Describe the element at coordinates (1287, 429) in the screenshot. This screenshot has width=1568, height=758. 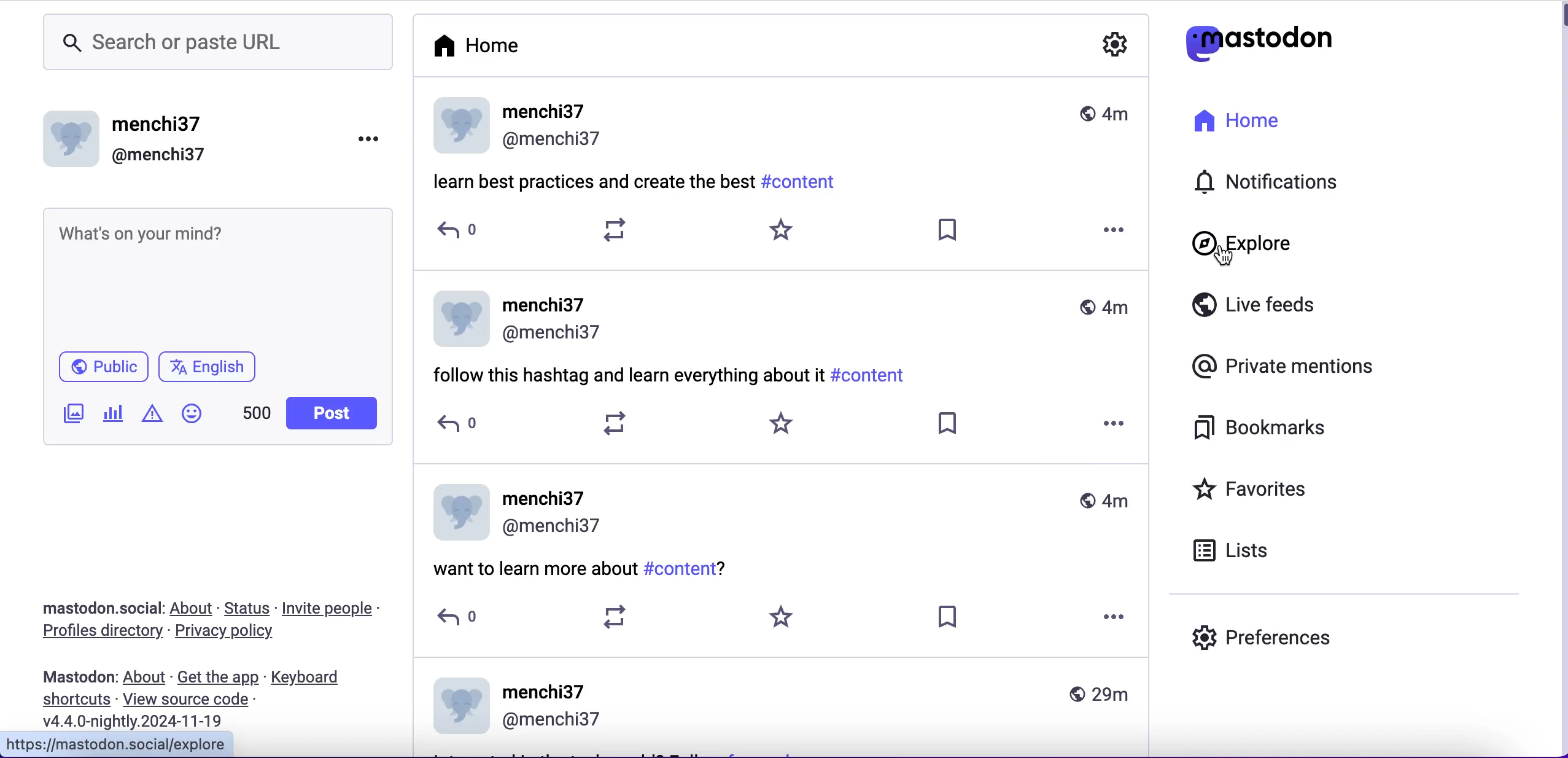
I see `bookmarks` at that location.